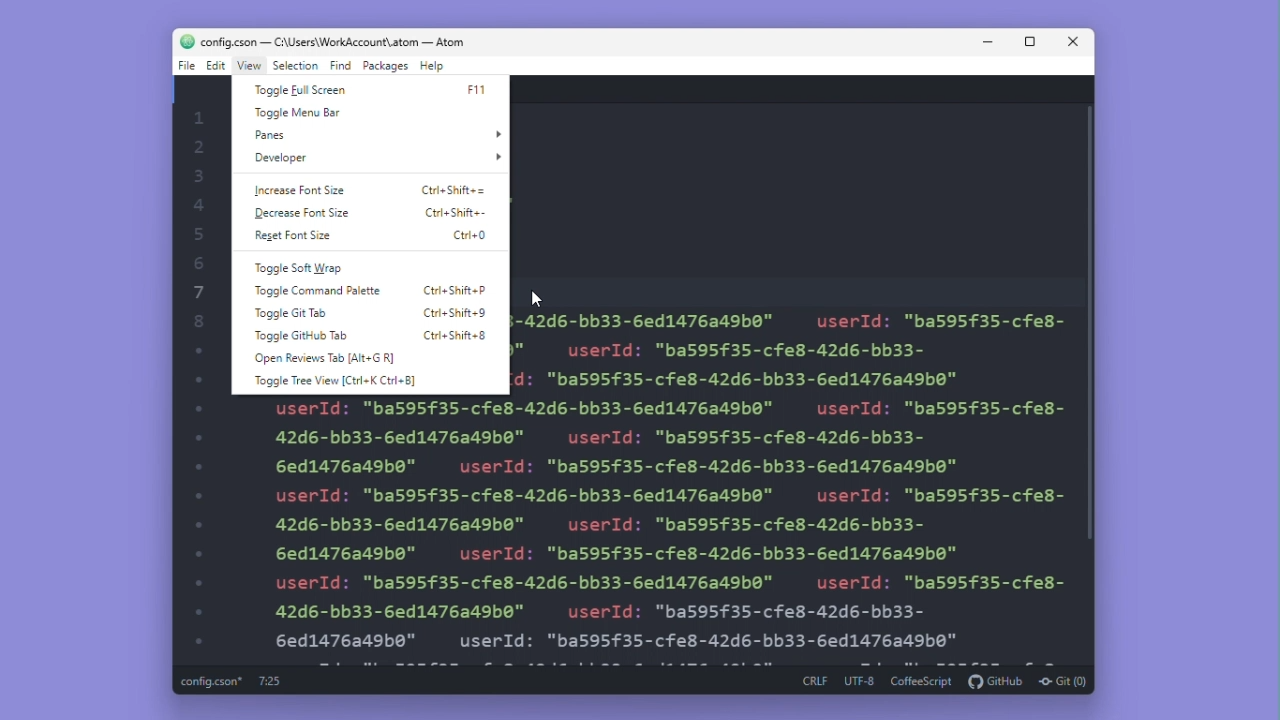 The image size is (1280, 720). What do you see at coordinates (536, 297) in the screenshot?
I see `cursor` at bounding box center [536, 297].